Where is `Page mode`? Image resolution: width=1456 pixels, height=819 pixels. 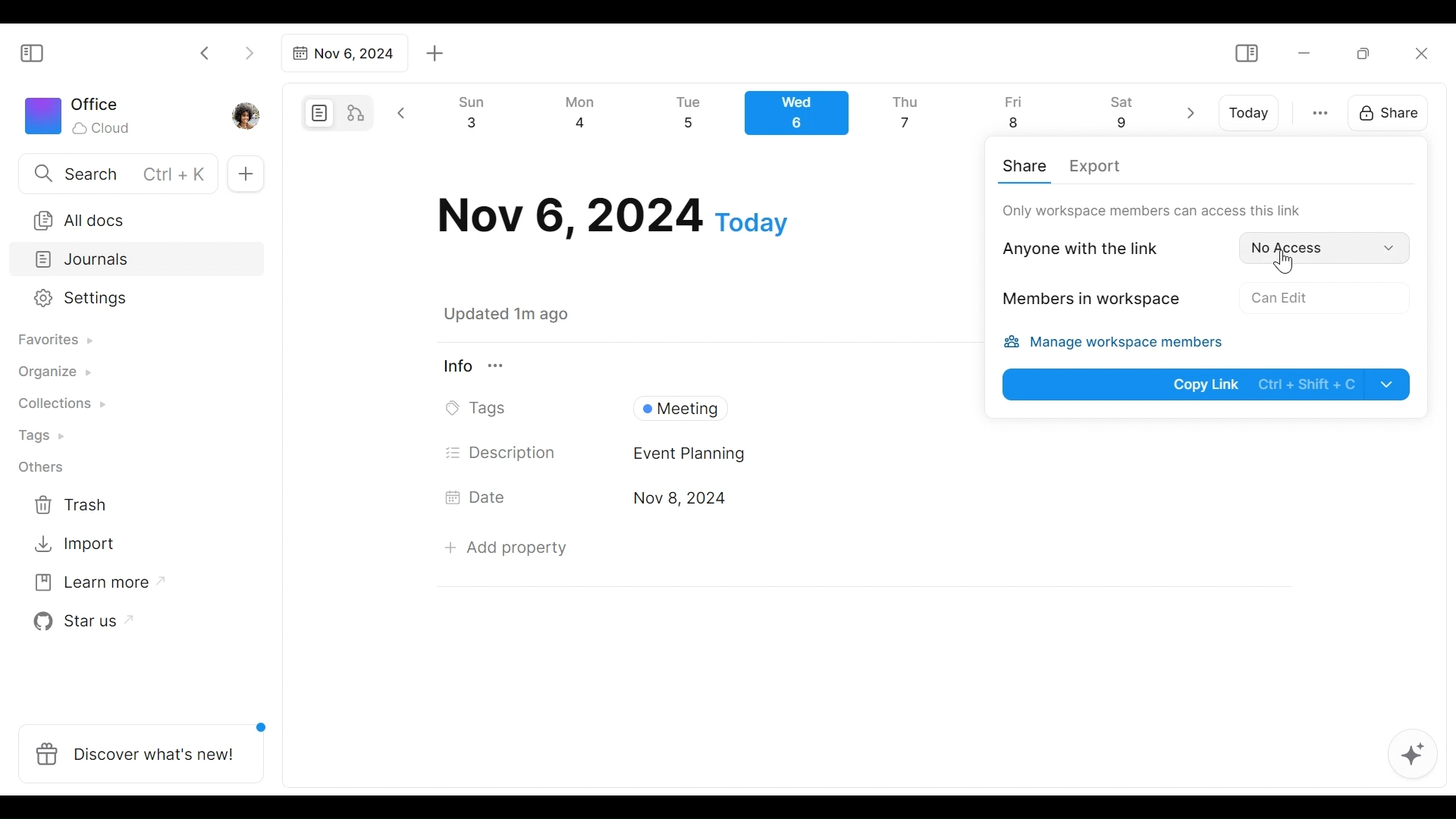 Page mode is located at coordinates (317, 113).